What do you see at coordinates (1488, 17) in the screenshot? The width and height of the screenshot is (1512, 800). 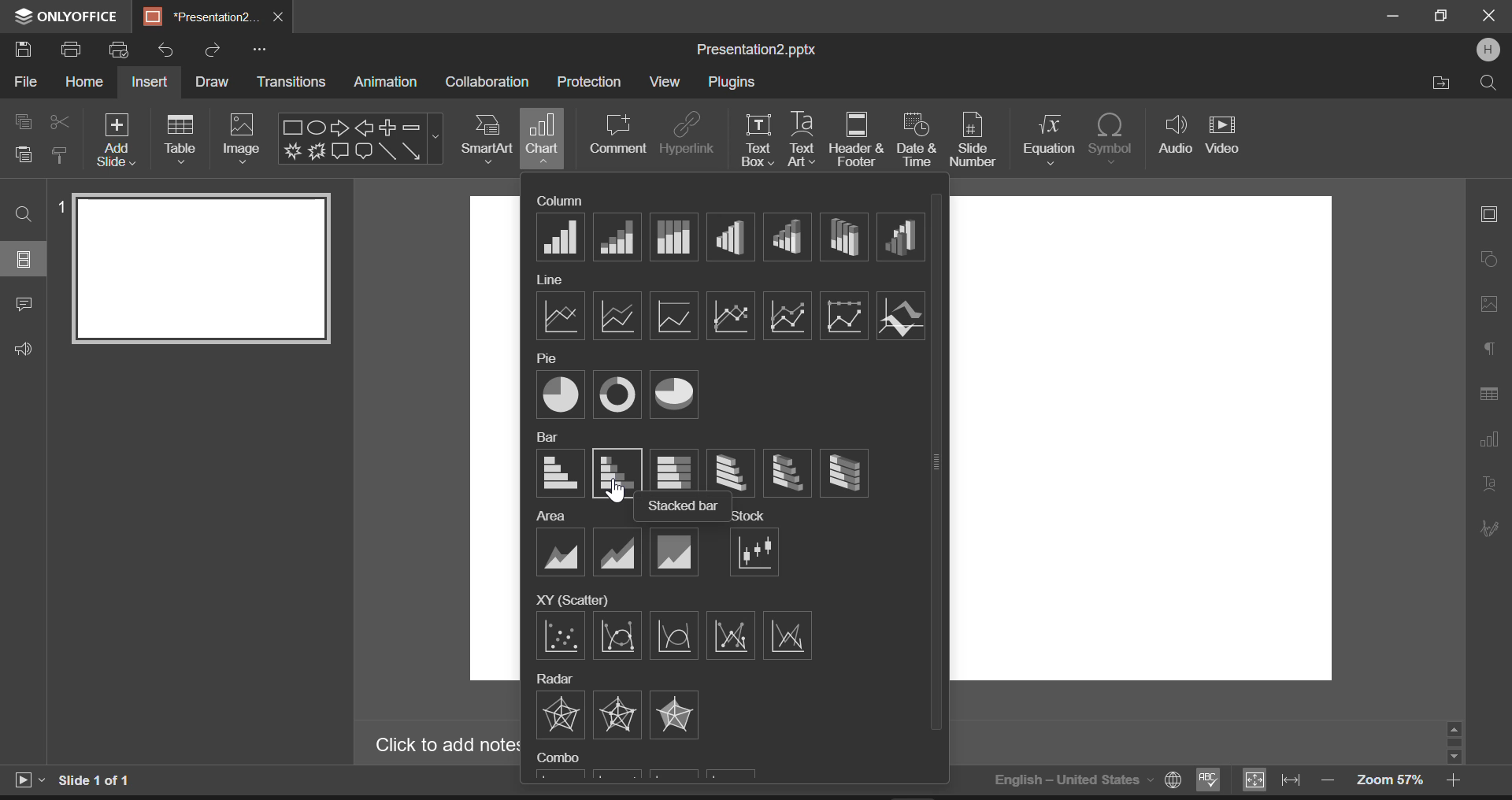 I see `Close` at bounding box center [1488, 17].